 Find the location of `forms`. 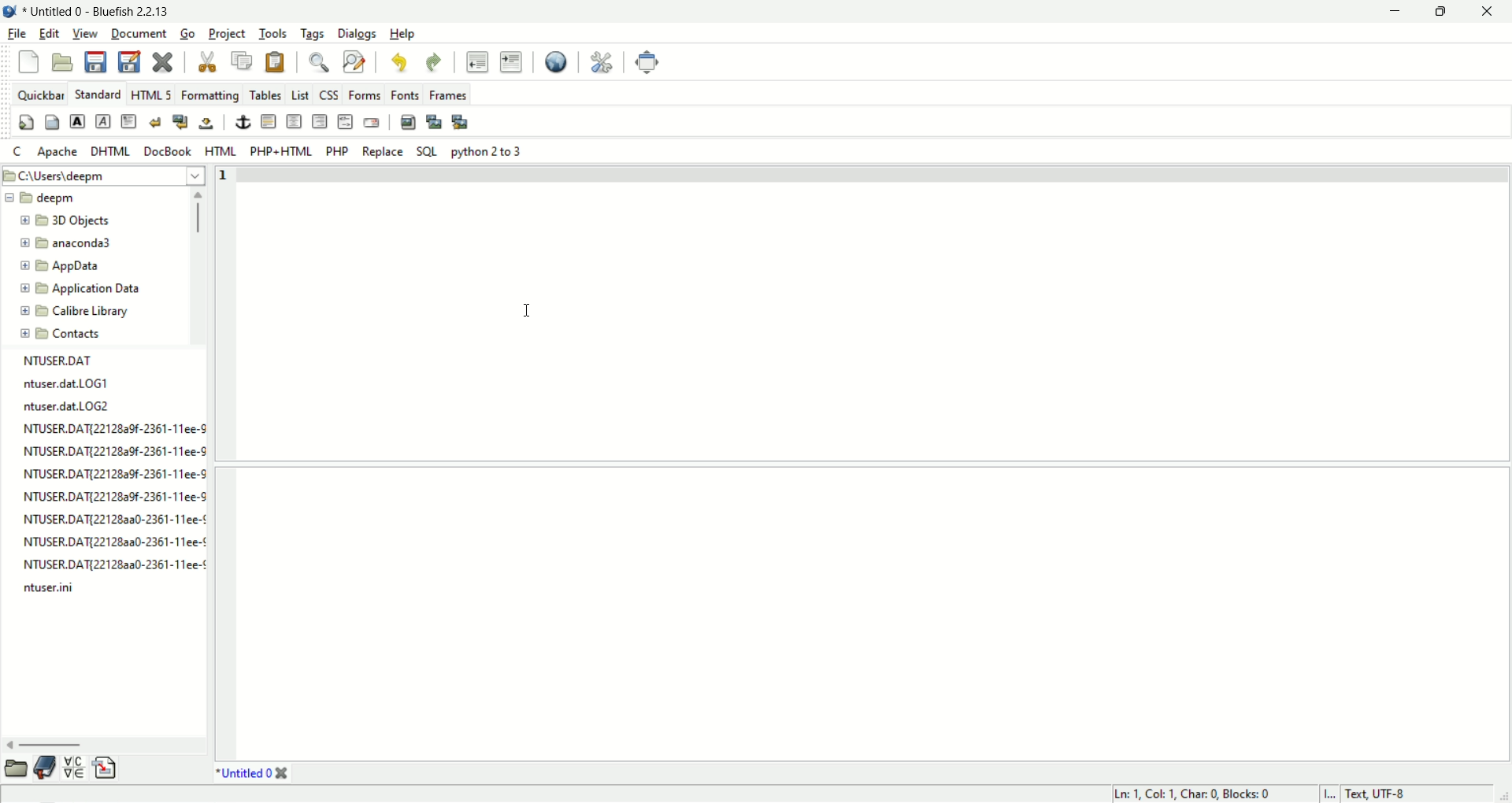

forms is located at coordinates (364, 95).